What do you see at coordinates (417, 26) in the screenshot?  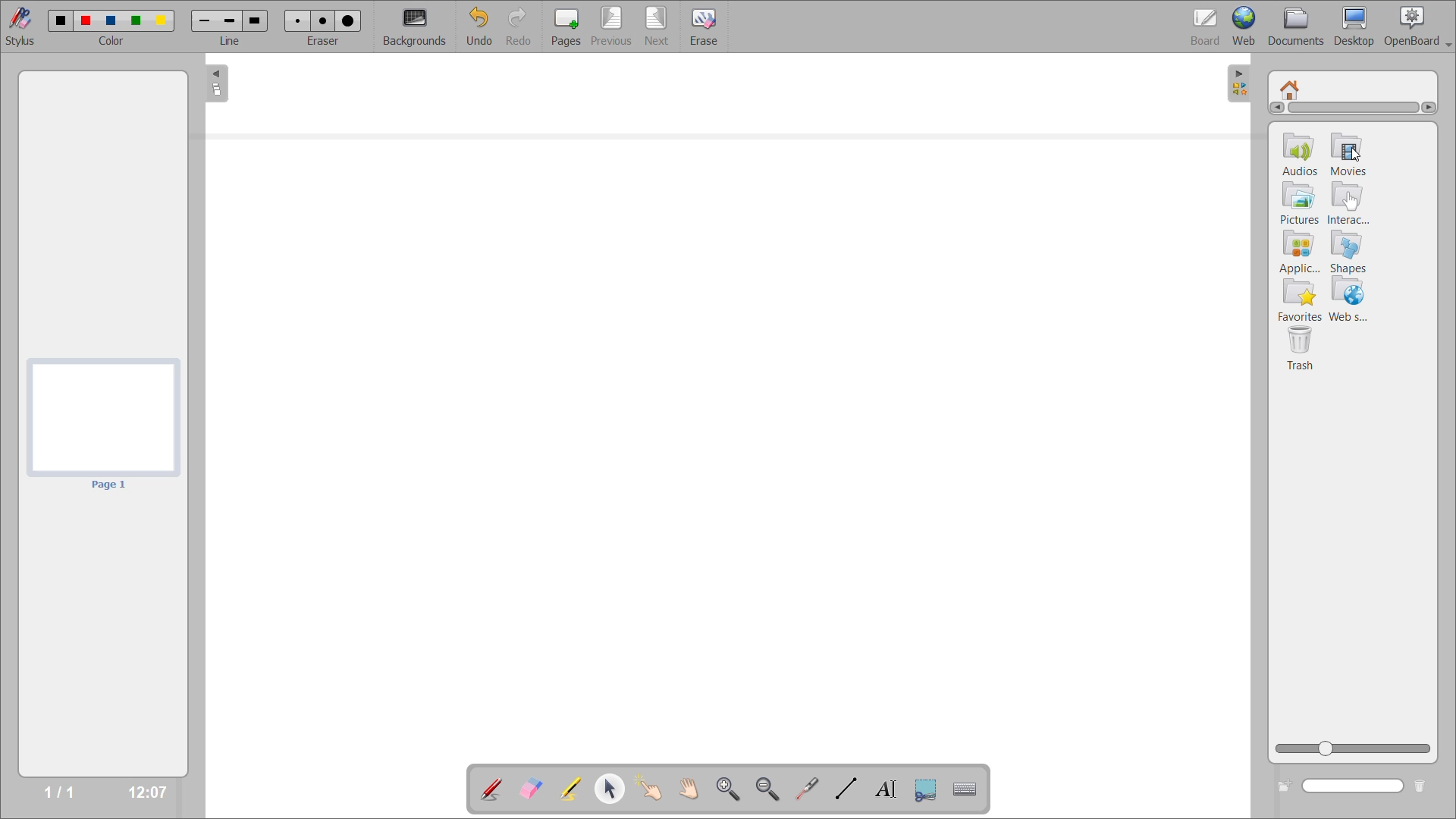 I see `backgrounds` at bounding box center [417, 26].